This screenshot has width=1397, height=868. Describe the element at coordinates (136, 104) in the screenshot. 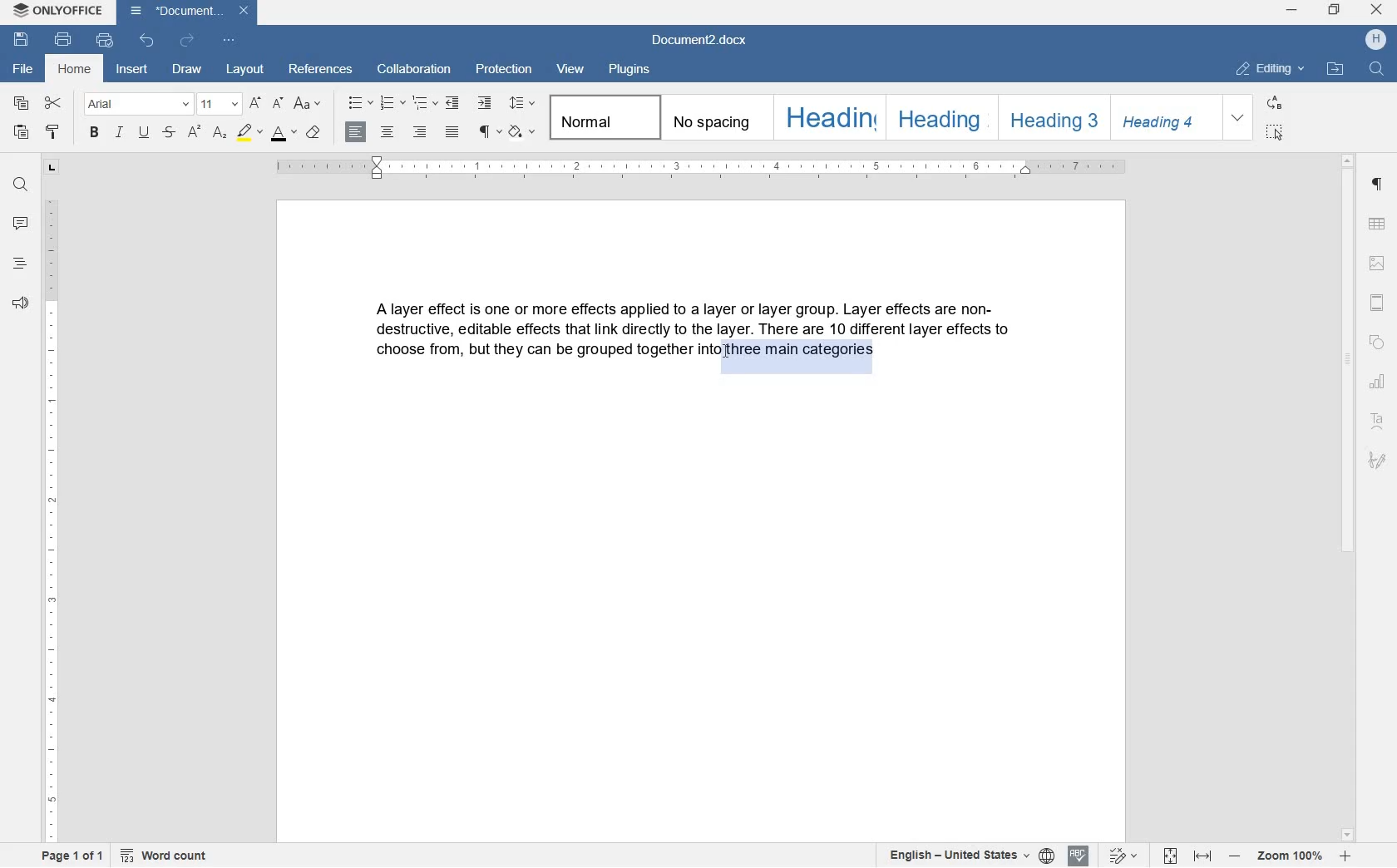

I see `font name` at that location.